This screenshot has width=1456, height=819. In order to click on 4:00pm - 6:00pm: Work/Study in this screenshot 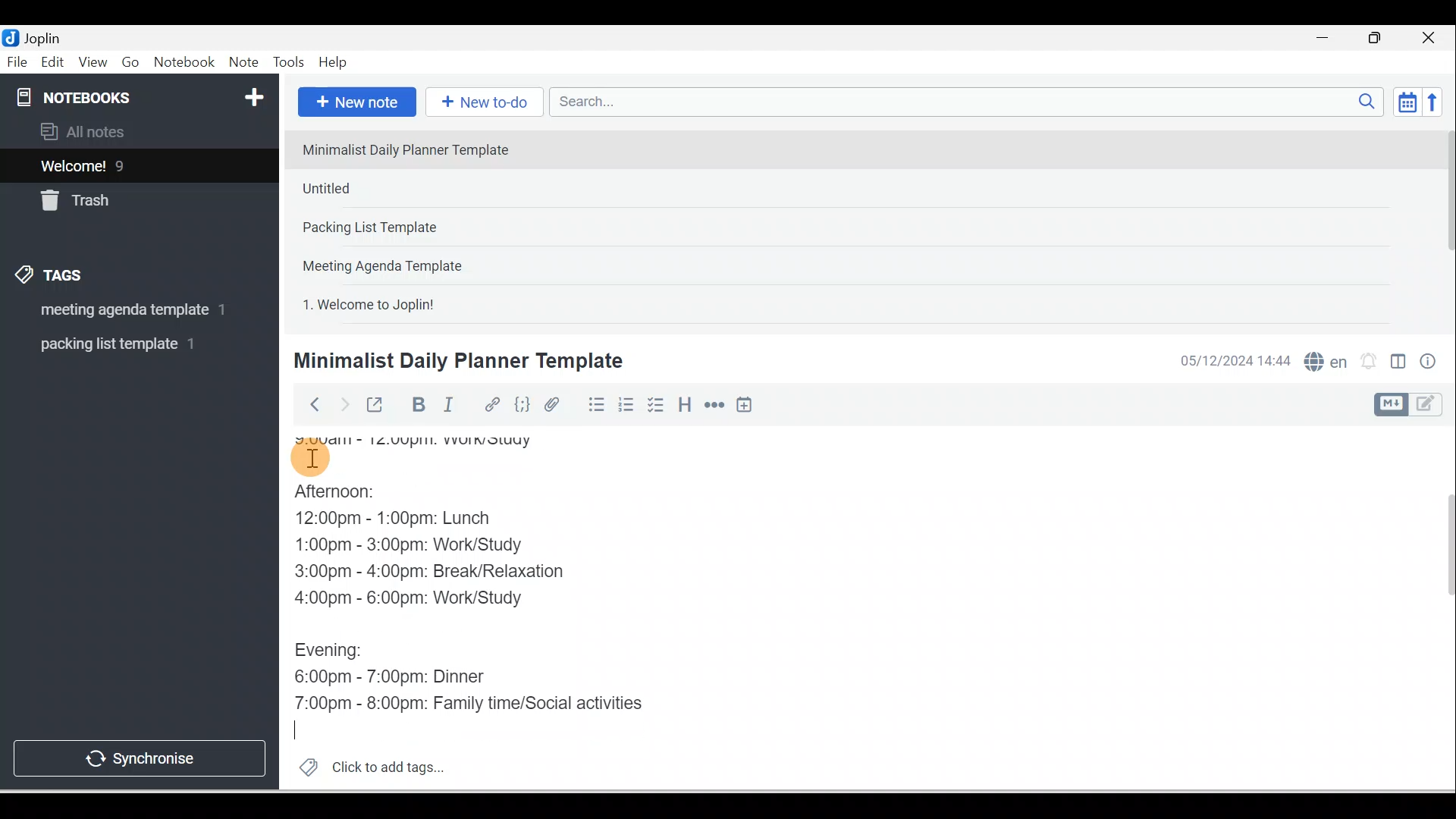, I will do `click(413, 598)`.